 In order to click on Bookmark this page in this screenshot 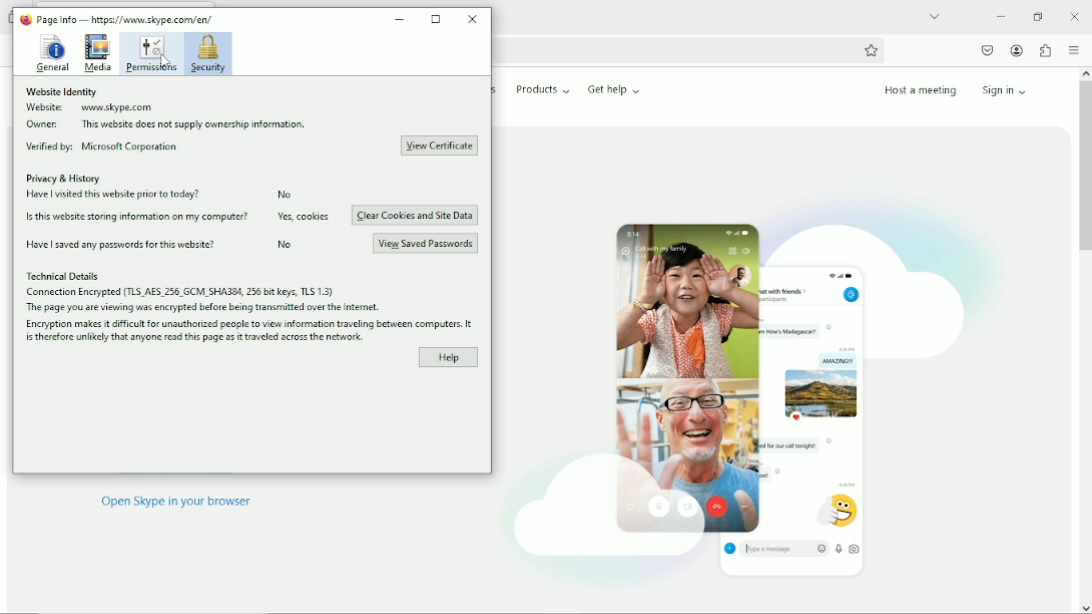, I will do `click(871, 50)`.